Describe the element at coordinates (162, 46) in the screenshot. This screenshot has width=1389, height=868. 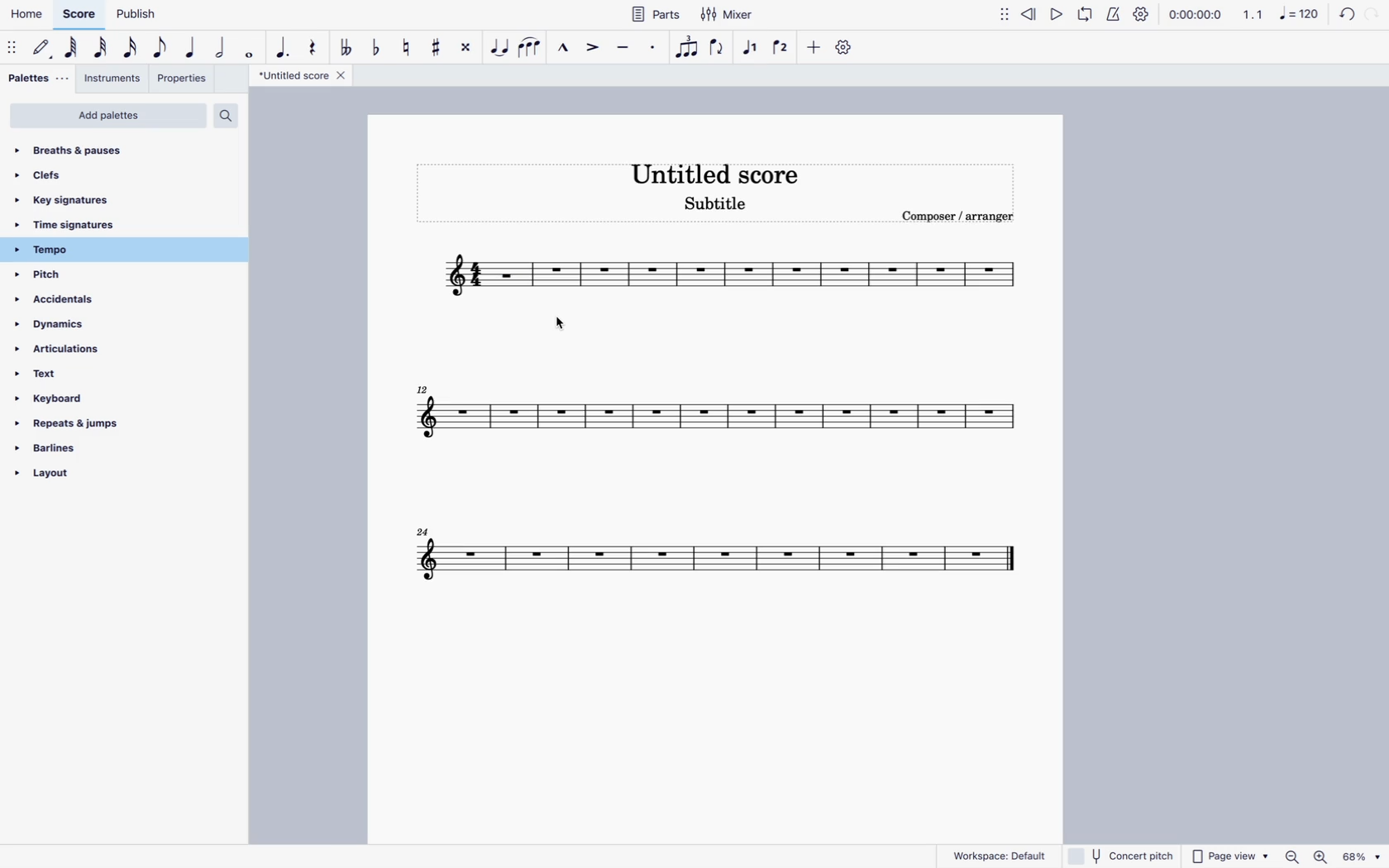
I see `eighth note` at that location.